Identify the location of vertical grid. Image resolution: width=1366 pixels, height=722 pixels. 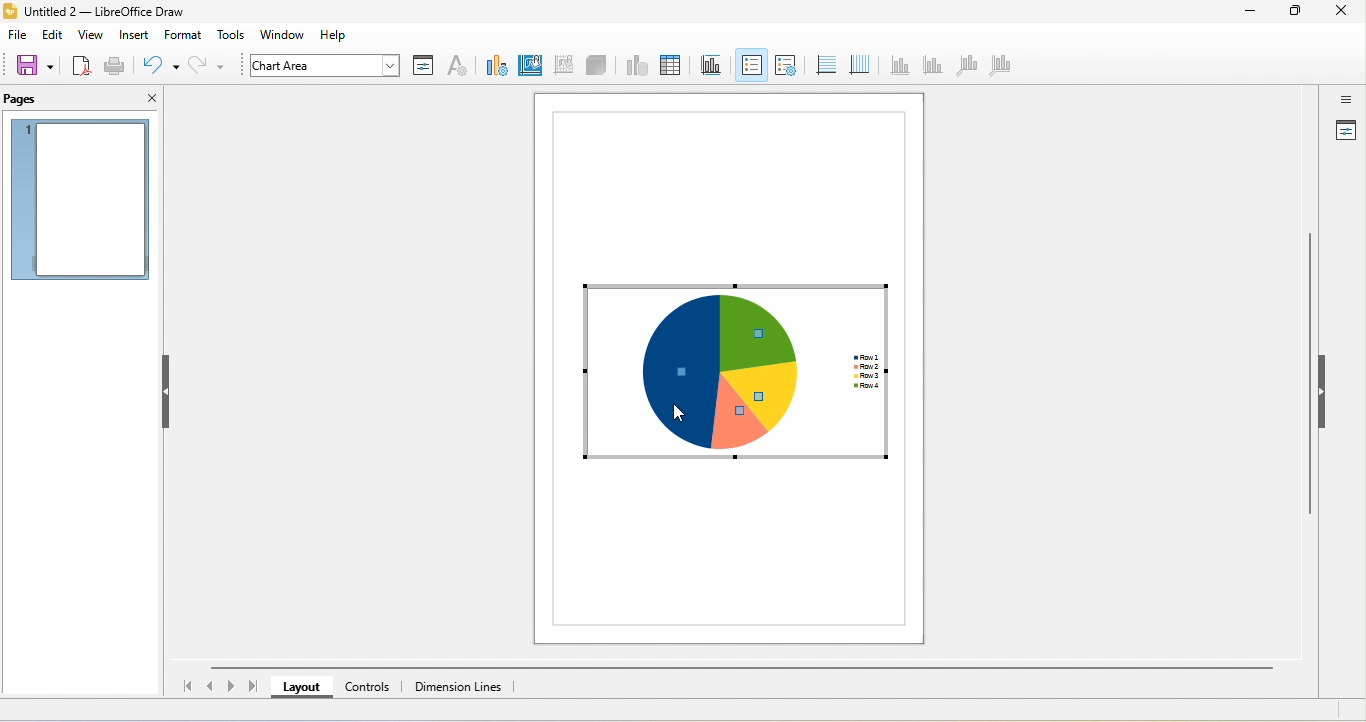
(858, 63).